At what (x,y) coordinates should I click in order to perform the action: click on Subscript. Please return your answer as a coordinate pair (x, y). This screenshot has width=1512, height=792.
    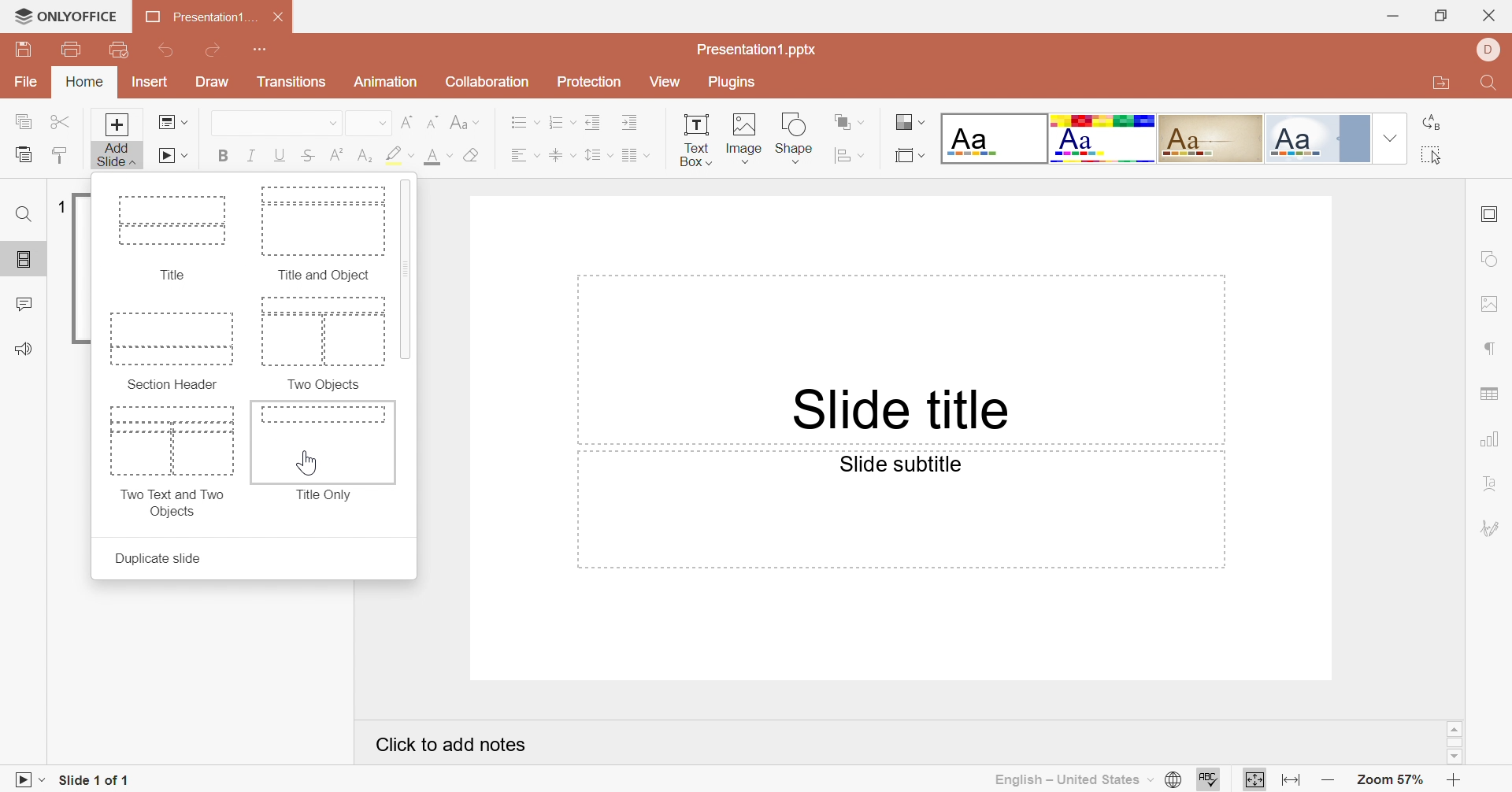
    Looking at the image, I should click on (363, 156).